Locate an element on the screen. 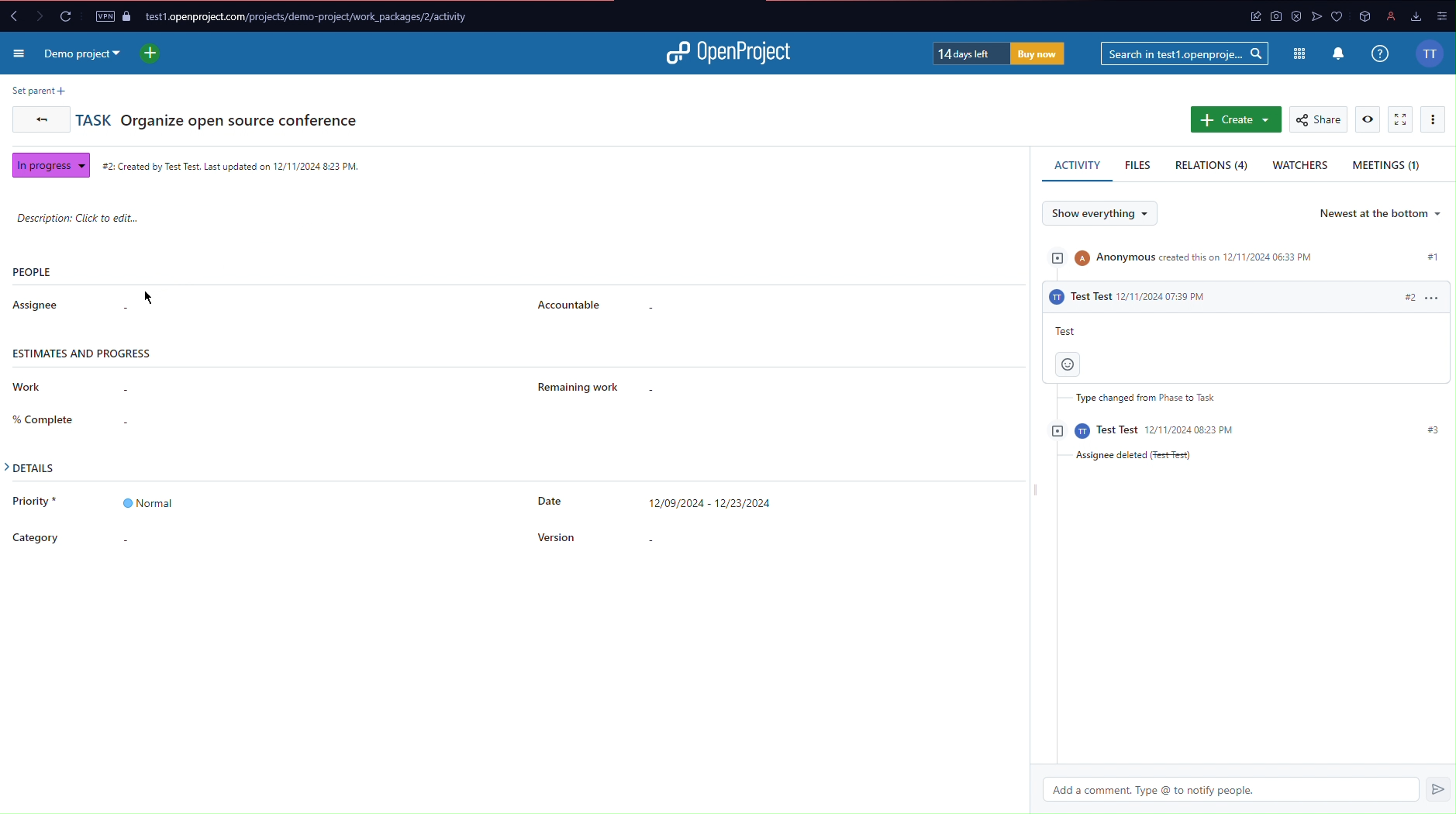 The height and width of the screenshot is (814, 1456). app icon is located at coordinates (1238, 19).